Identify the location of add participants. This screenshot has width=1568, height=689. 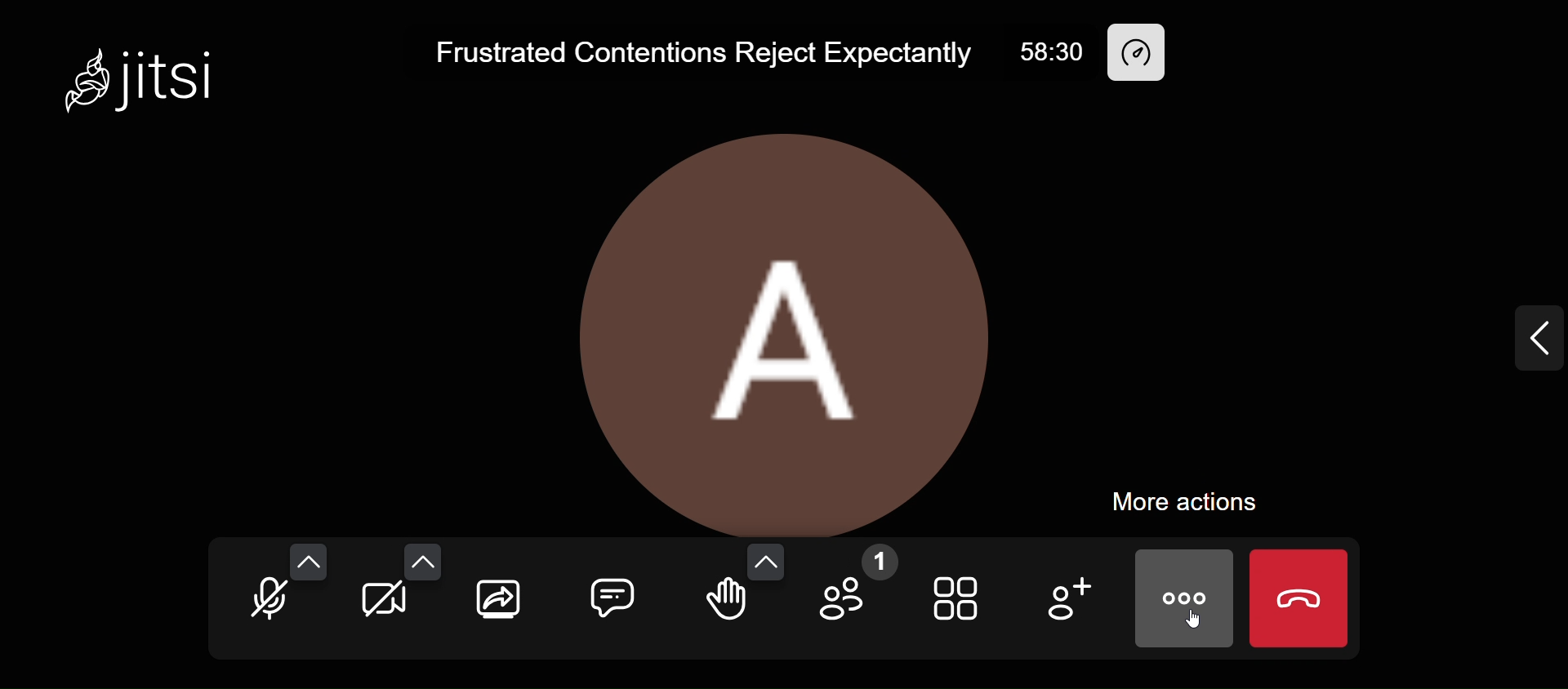
(1073, 601).